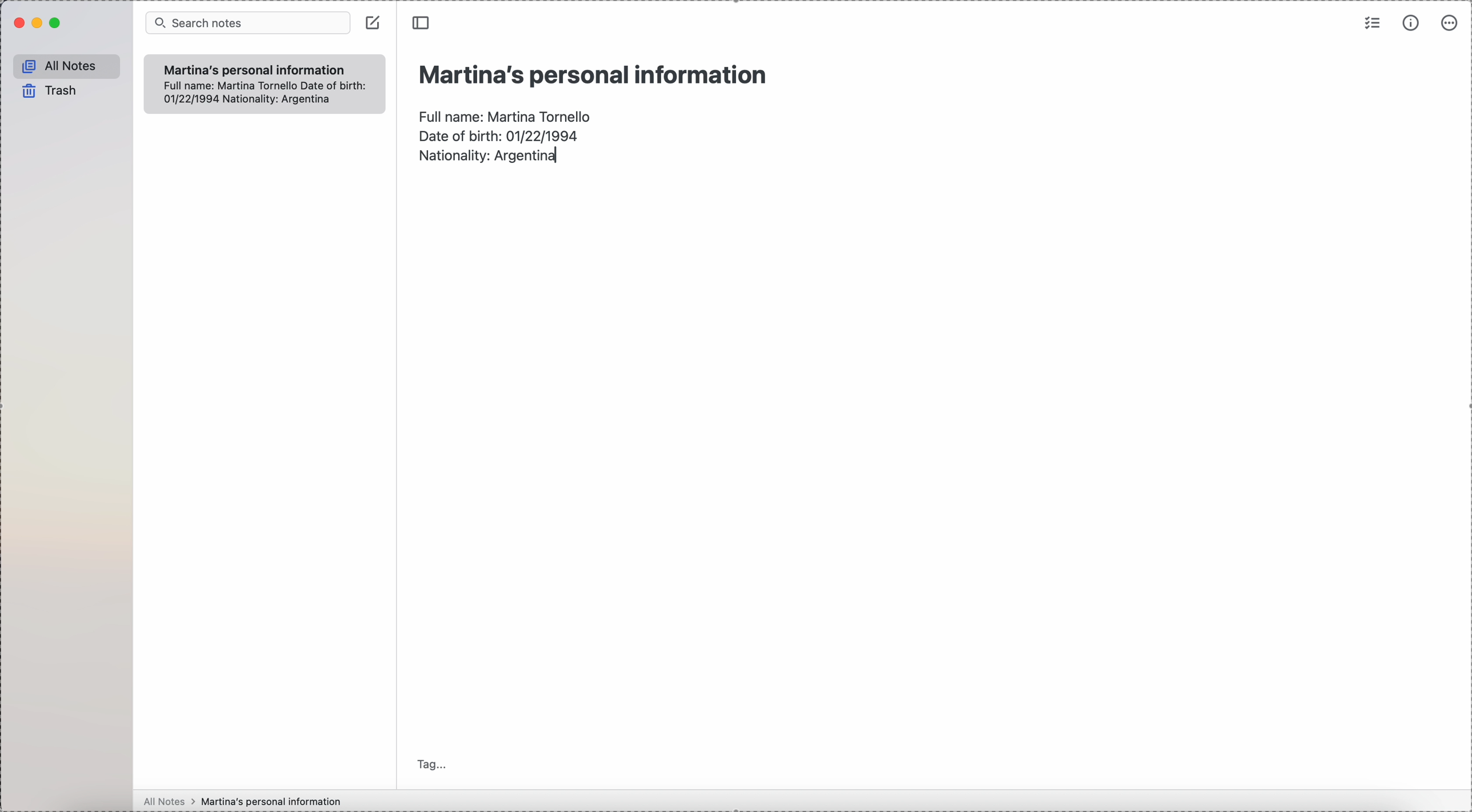  I want to click on full name: Martina Tornello, so click(507, 114).